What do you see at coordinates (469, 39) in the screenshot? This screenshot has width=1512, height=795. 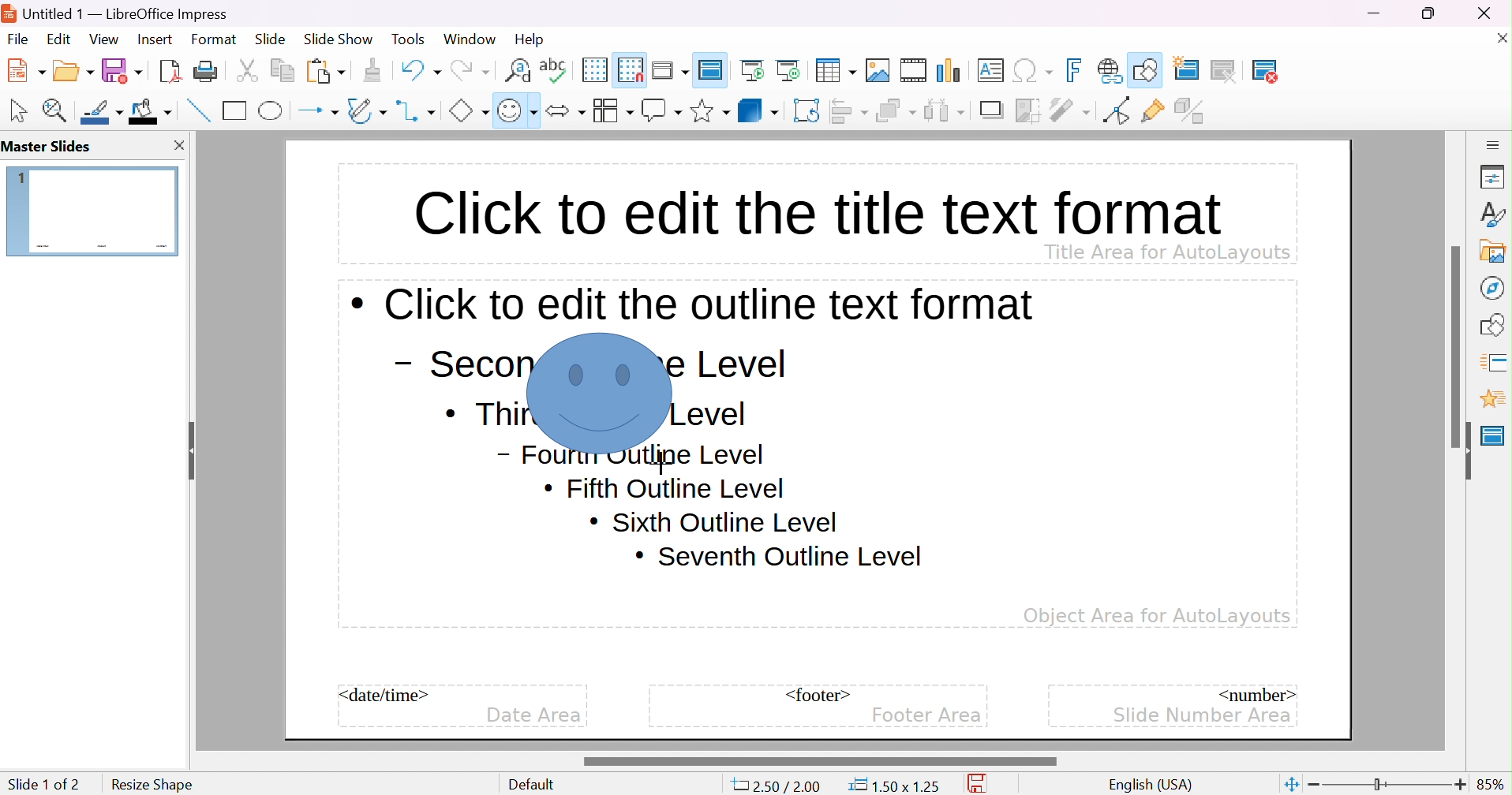 I see `window` at bounding box center [469, 39].